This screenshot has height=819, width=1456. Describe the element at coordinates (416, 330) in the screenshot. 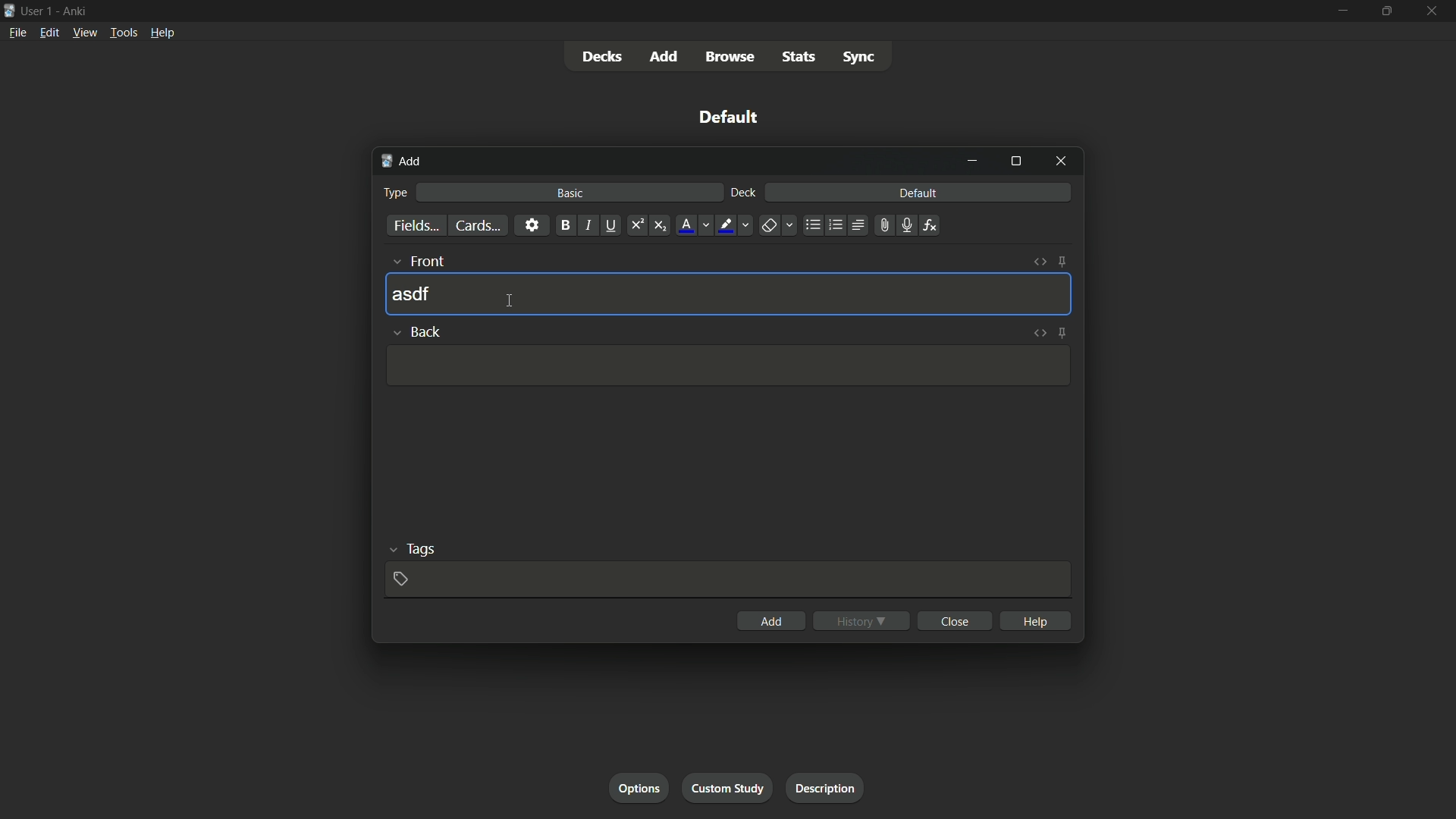

I see `back` at that location.